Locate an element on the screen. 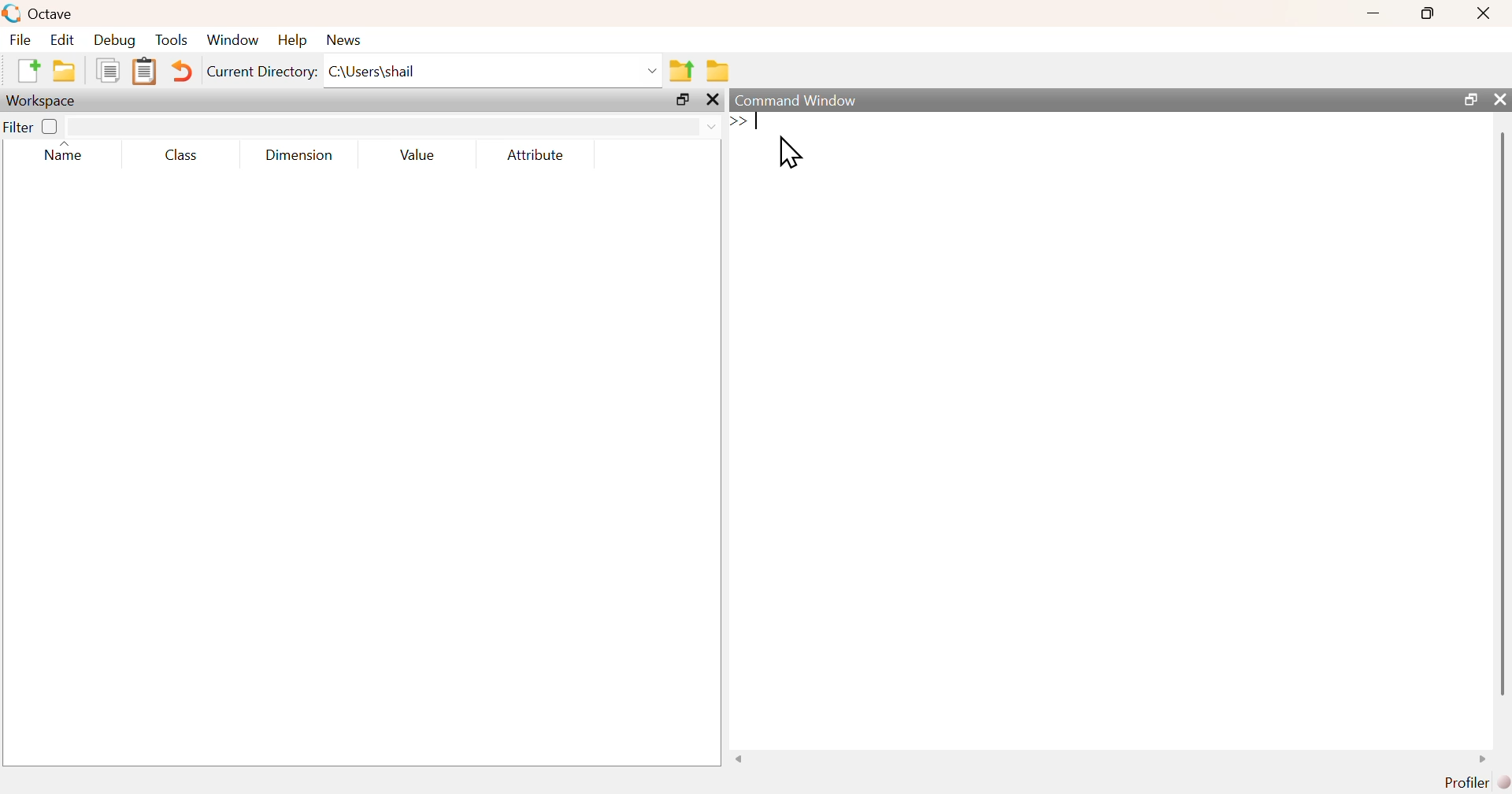 The width and height of the screenshot is (1512, 794). Name is located at coordinates (68, 152).